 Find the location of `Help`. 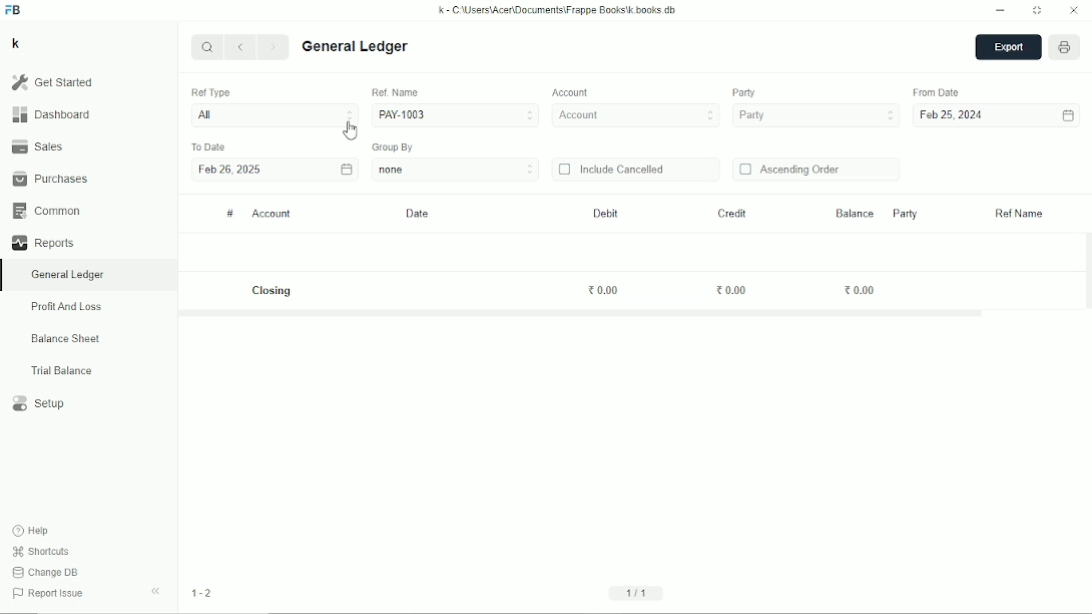

Help is located at coordinates (33, 531).